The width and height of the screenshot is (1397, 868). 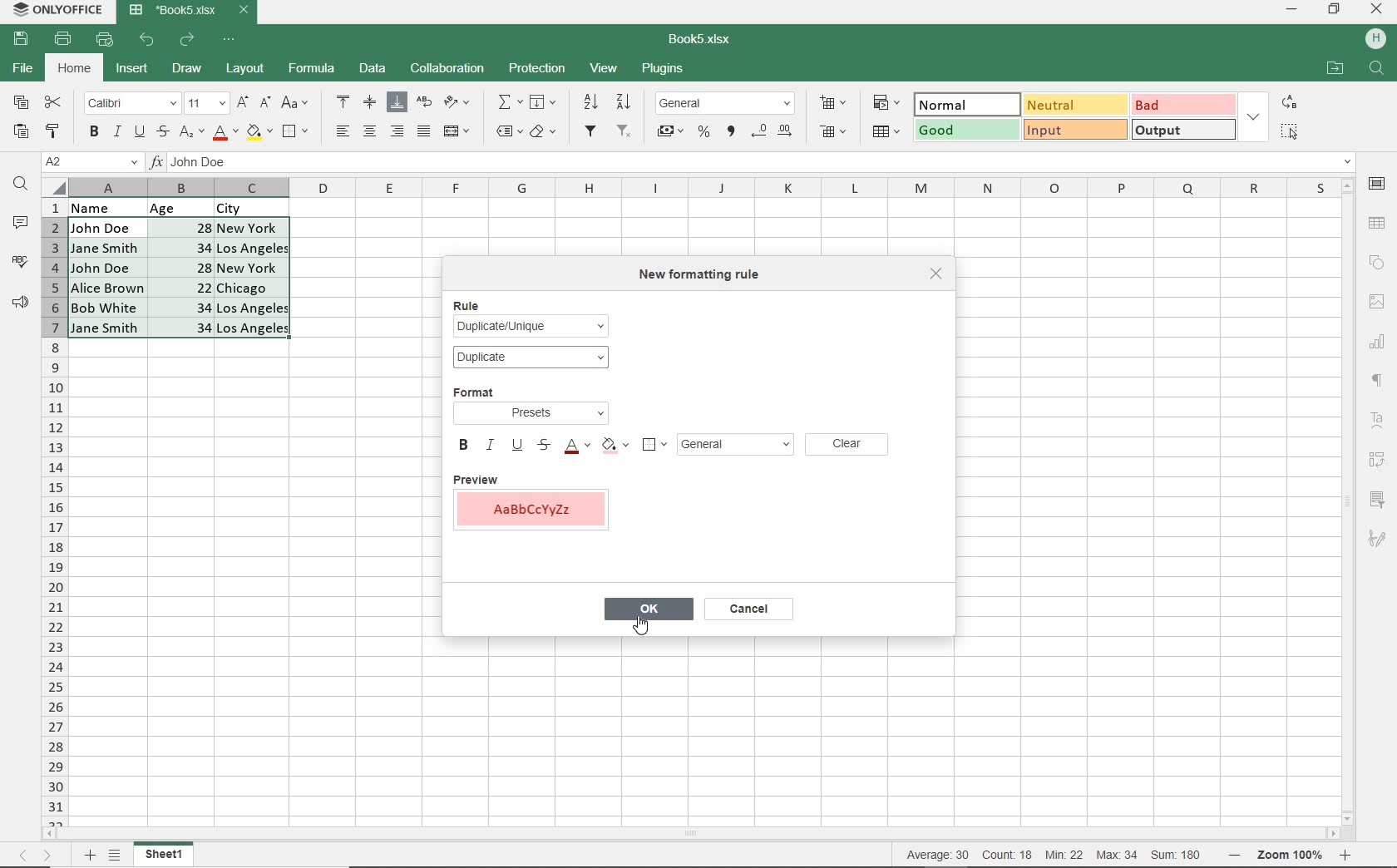 I want to click on FILL, so click(x=615, y=447).